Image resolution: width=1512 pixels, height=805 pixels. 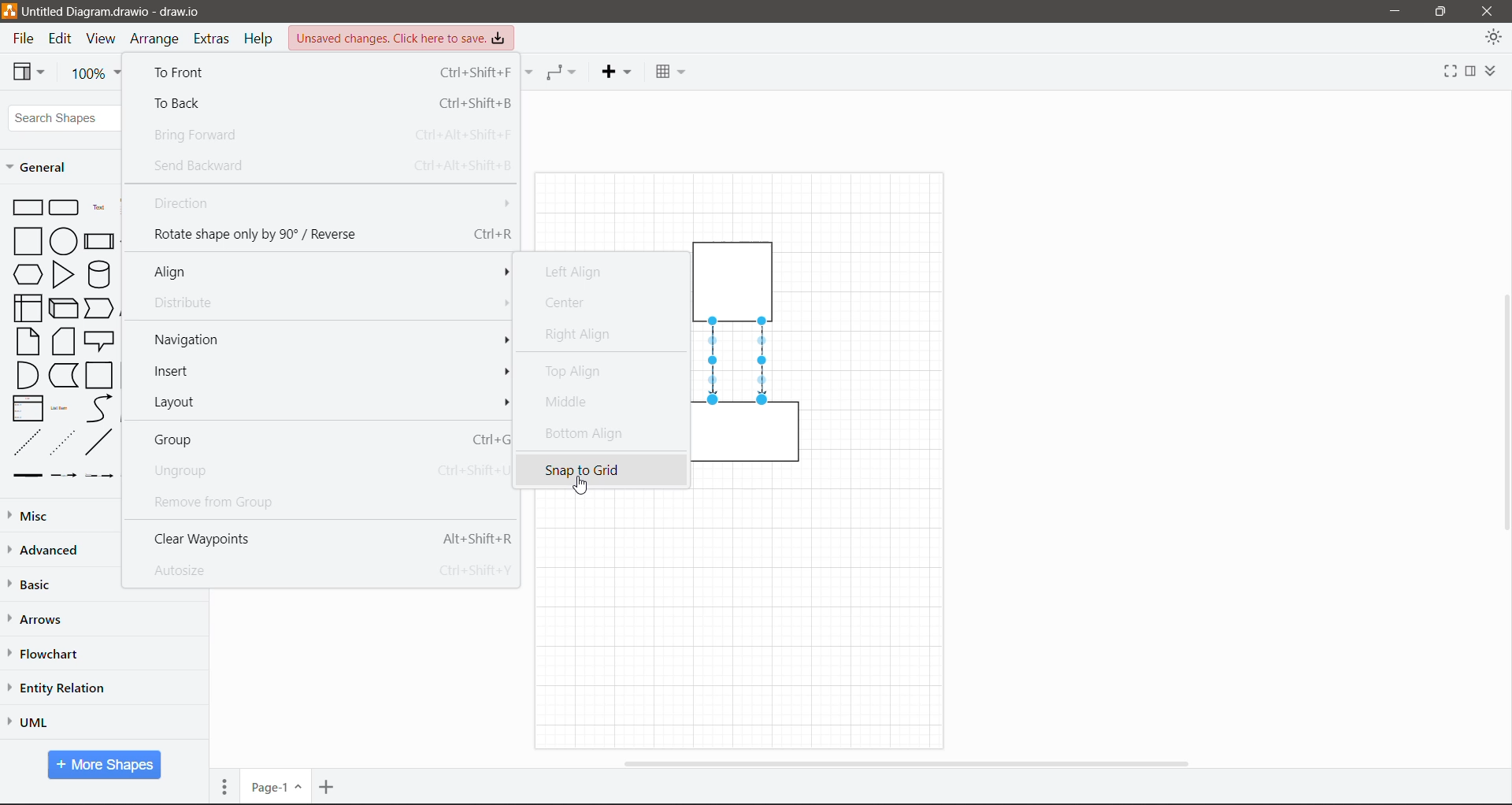 I want to click on Navigation, so click(x=327, y=342).